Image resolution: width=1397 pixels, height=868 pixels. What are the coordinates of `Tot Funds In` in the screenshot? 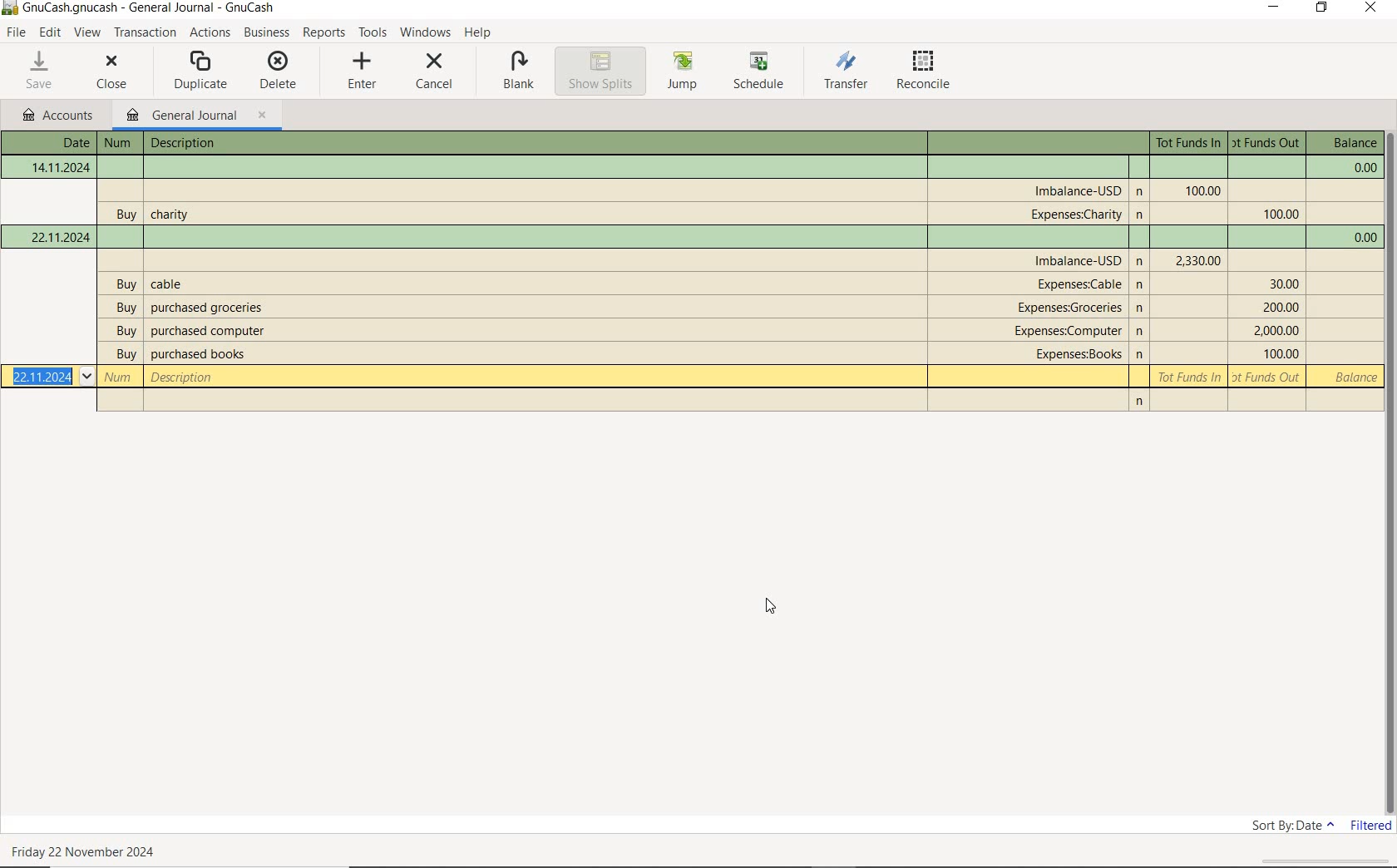 It's located at (1197, 260).